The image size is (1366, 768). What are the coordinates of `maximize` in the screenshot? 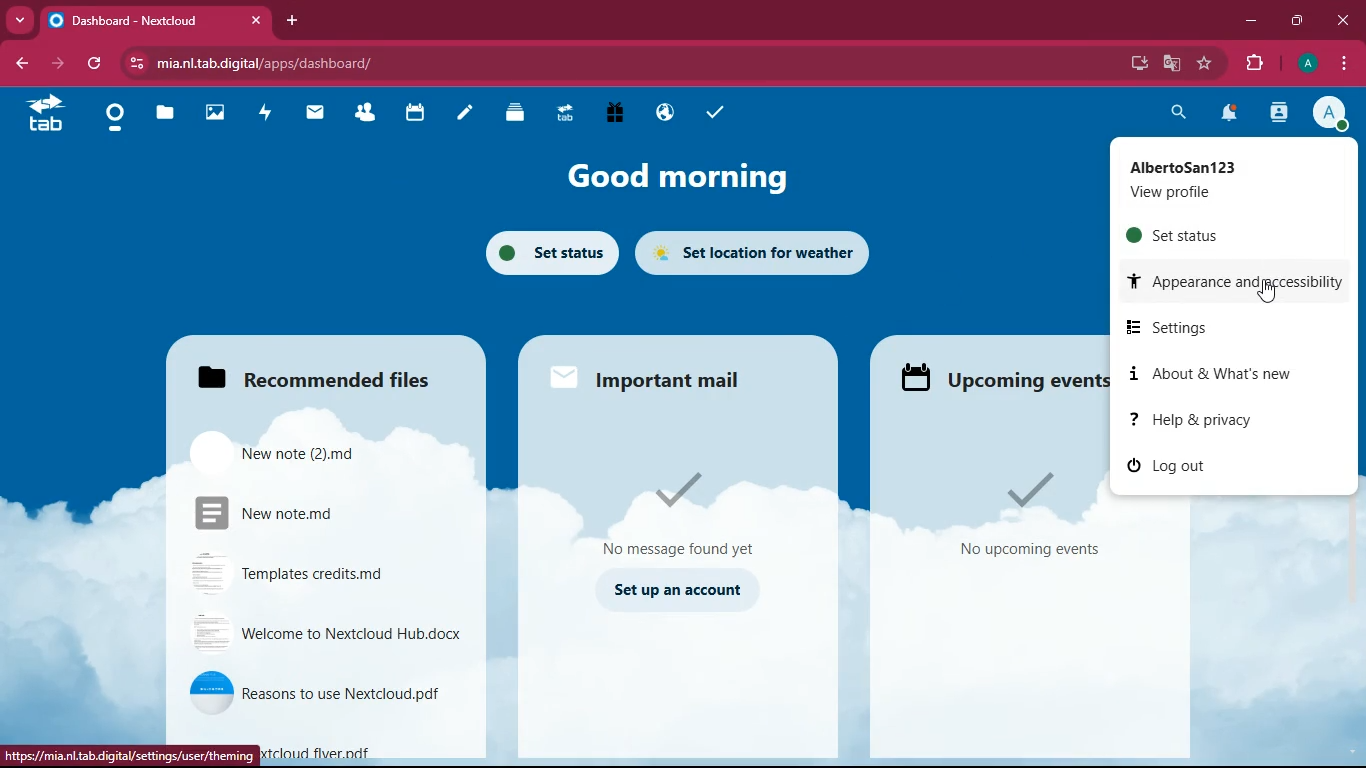 It's located at (1293, 19).